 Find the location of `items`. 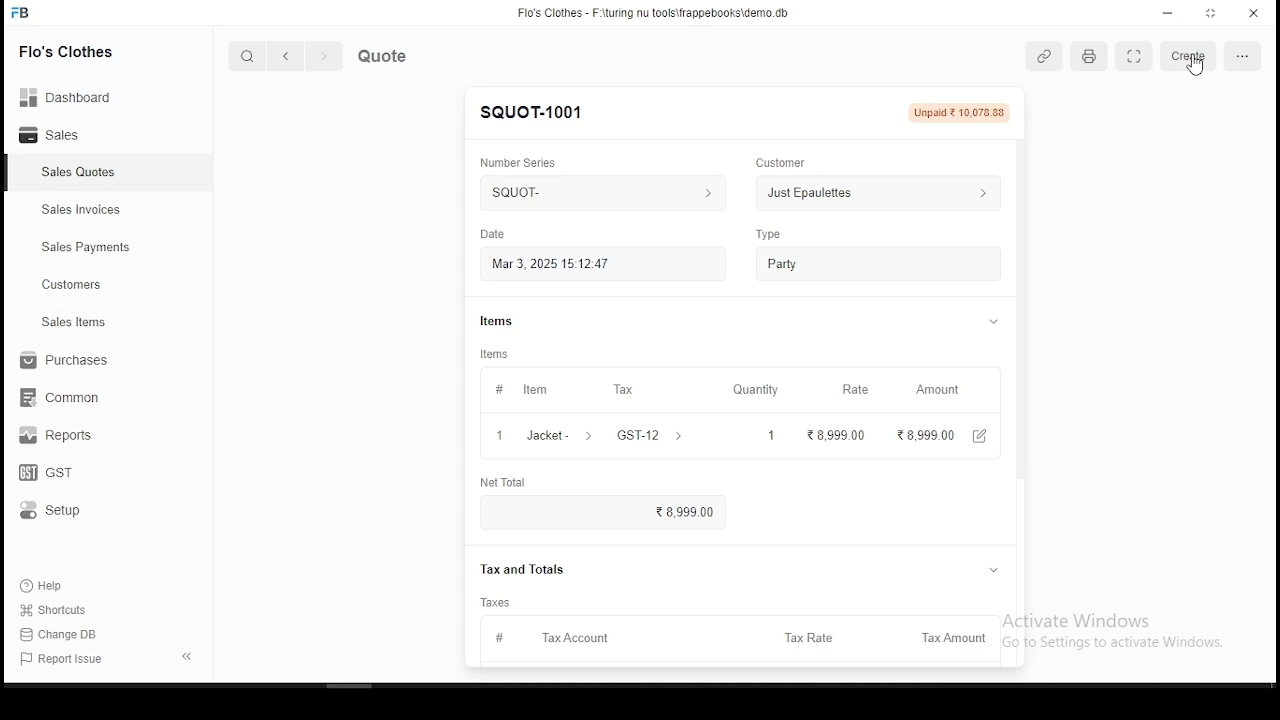

items is located at coordinates (498, 353).